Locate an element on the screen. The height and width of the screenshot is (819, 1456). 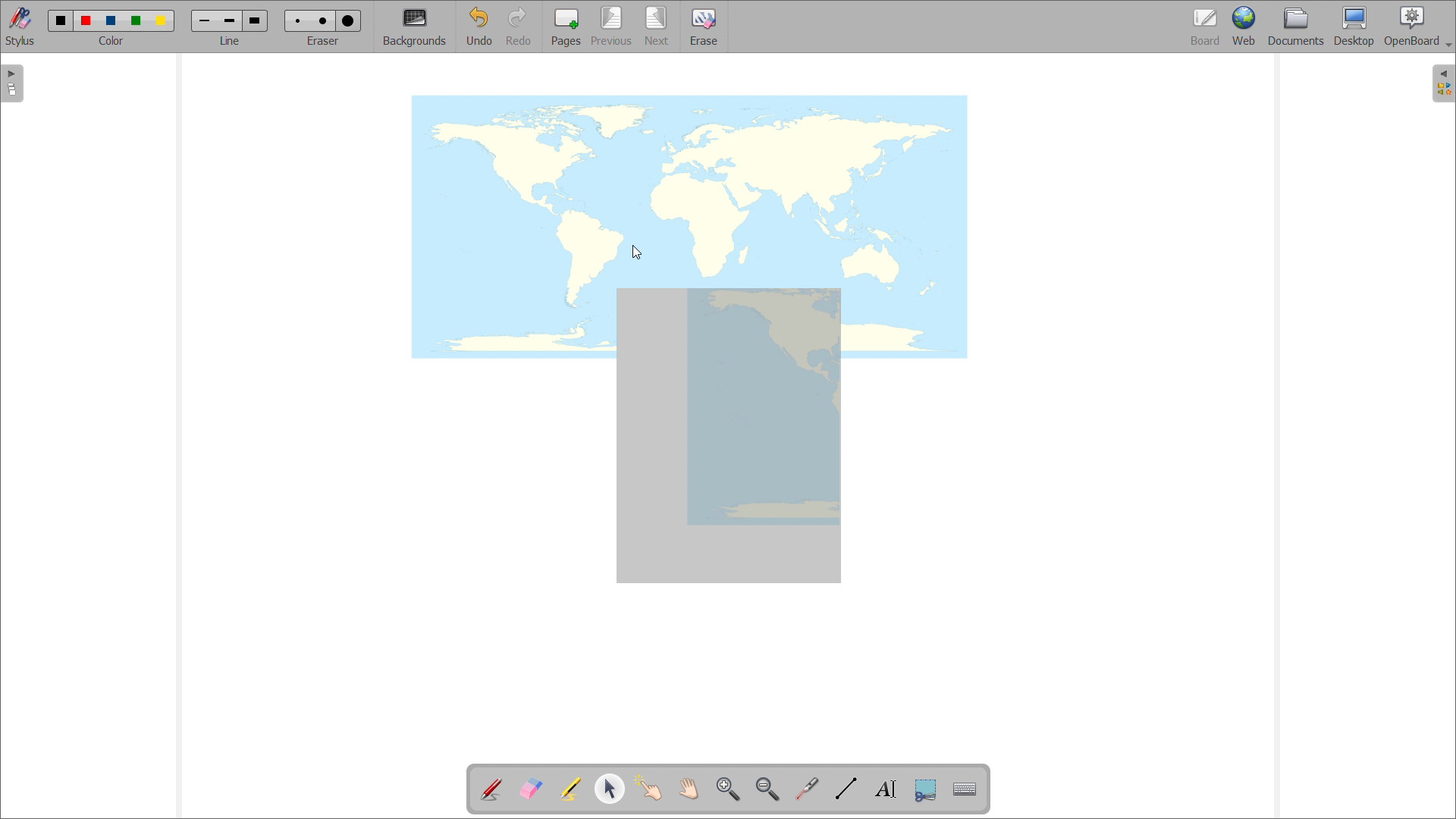
medium is located at coordinates (229, 21).